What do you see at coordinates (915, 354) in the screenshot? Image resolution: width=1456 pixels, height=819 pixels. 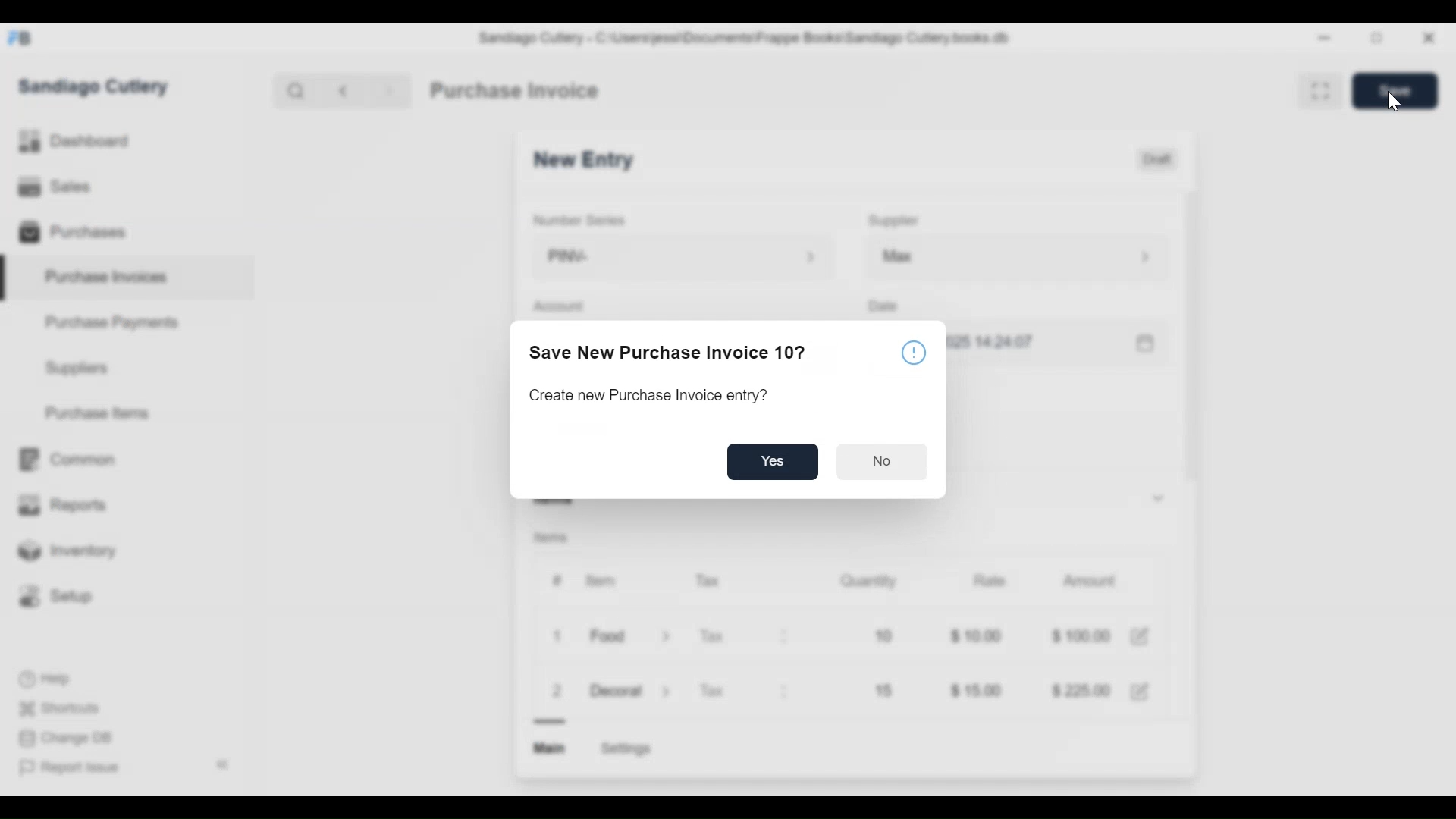 I see `Information` at bounding box center [915, 354].